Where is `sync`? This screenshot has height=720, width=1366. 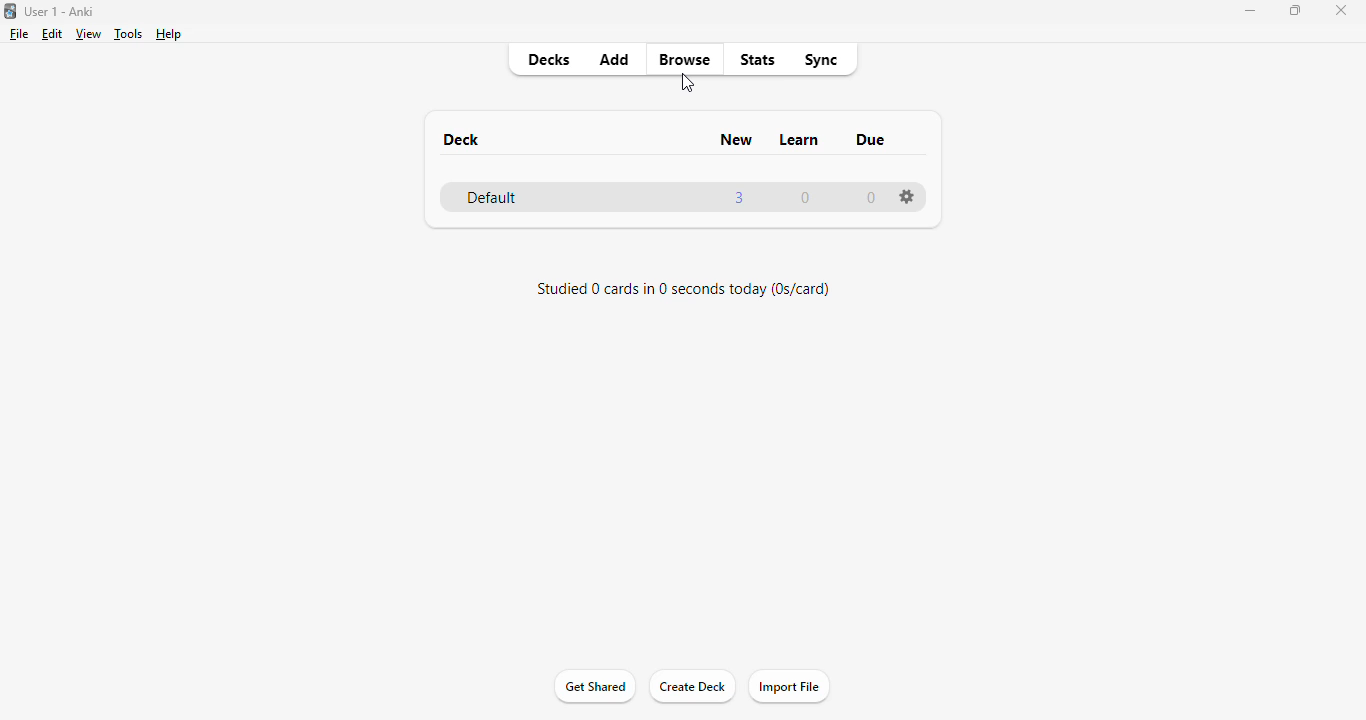
sync is located at coordinates (821, 59).